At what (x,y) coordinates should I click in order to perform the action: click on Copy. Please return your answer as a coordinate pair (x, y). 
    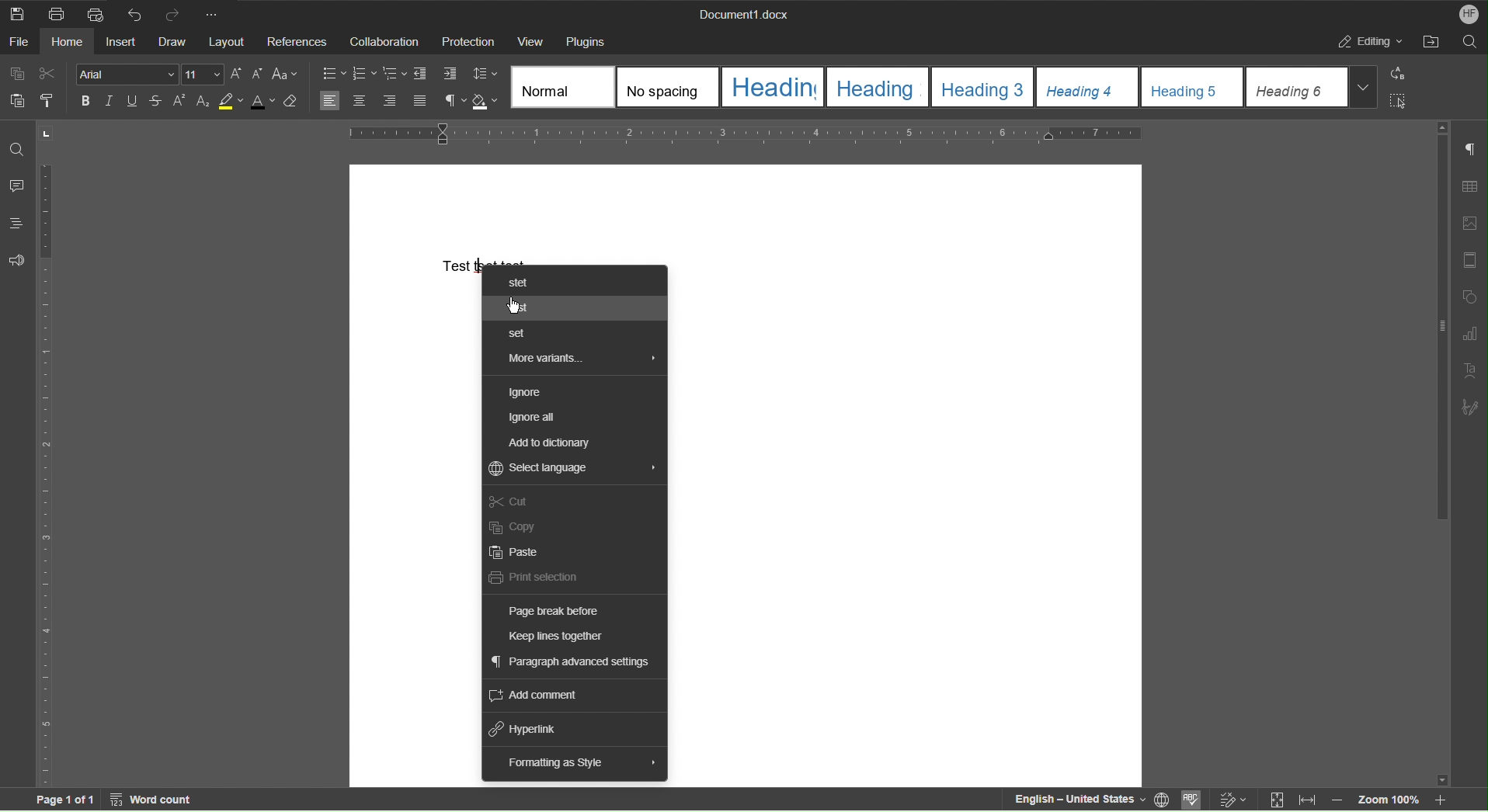
    Looking at the image, I should click on (19, 74).